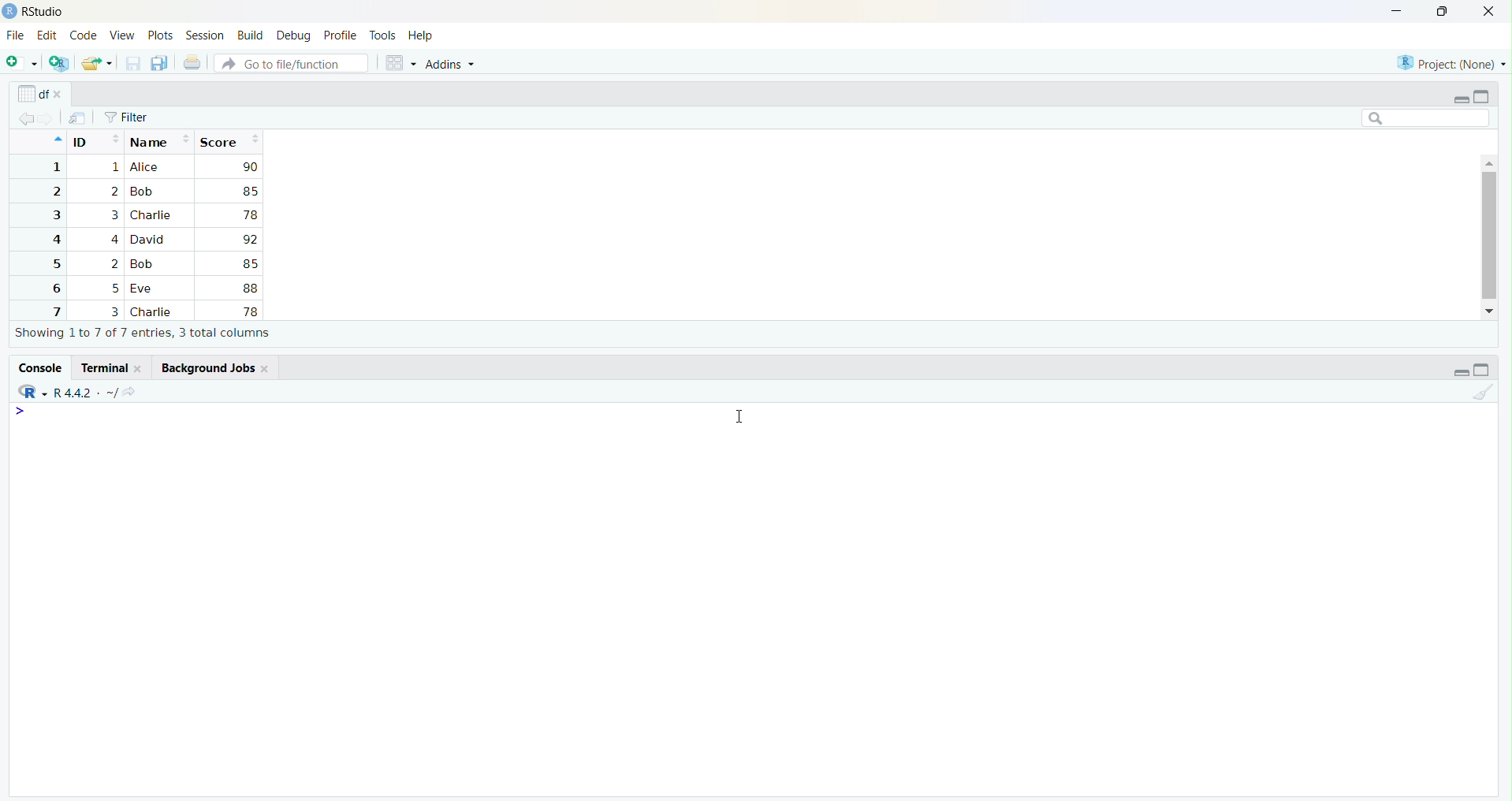 Image resolution: width=1512 pixels, height=801 pixels. I want to click on 7, so click(54, 311).